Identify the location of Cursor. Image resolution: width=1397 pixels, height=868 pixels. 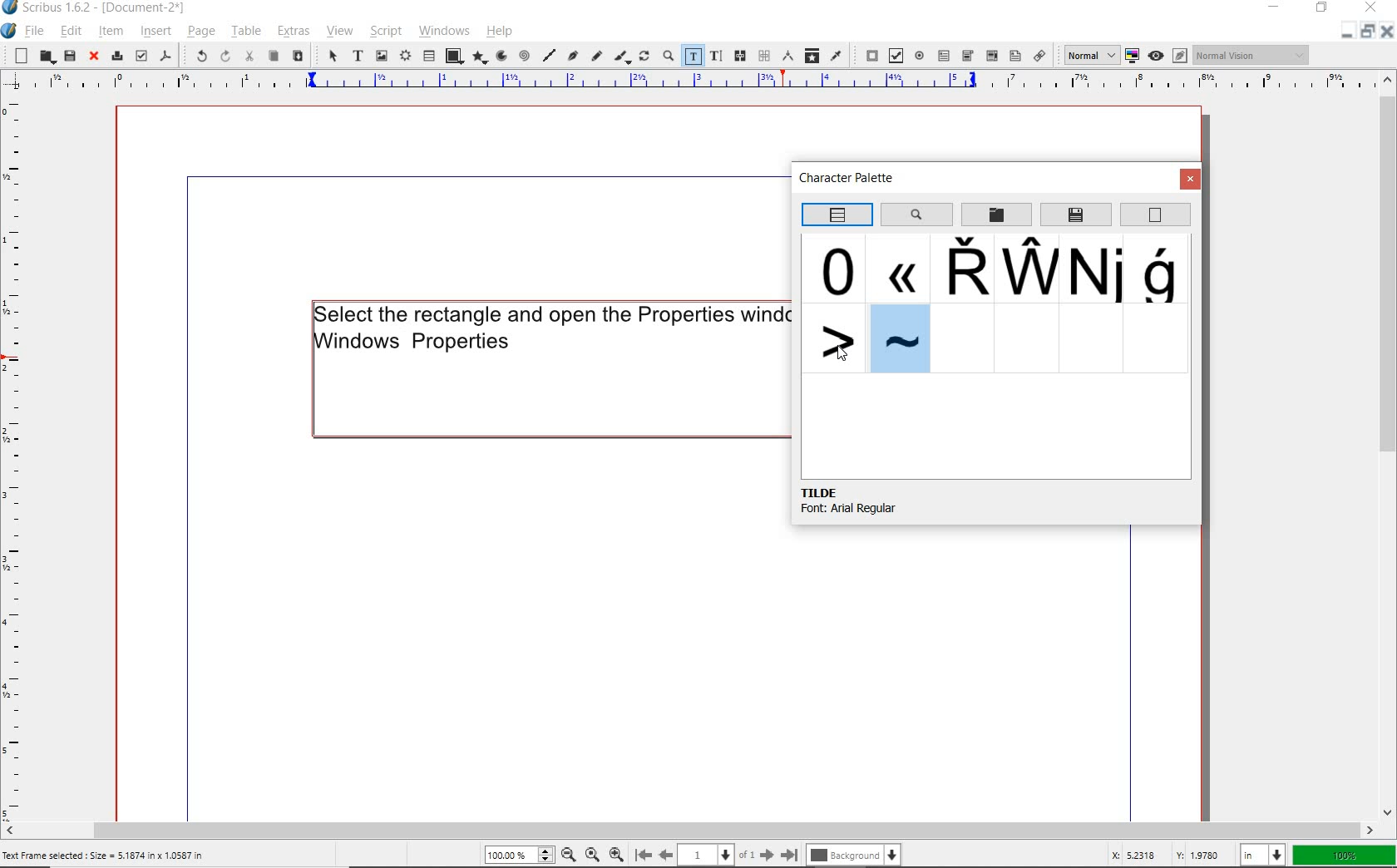
(845, 353).